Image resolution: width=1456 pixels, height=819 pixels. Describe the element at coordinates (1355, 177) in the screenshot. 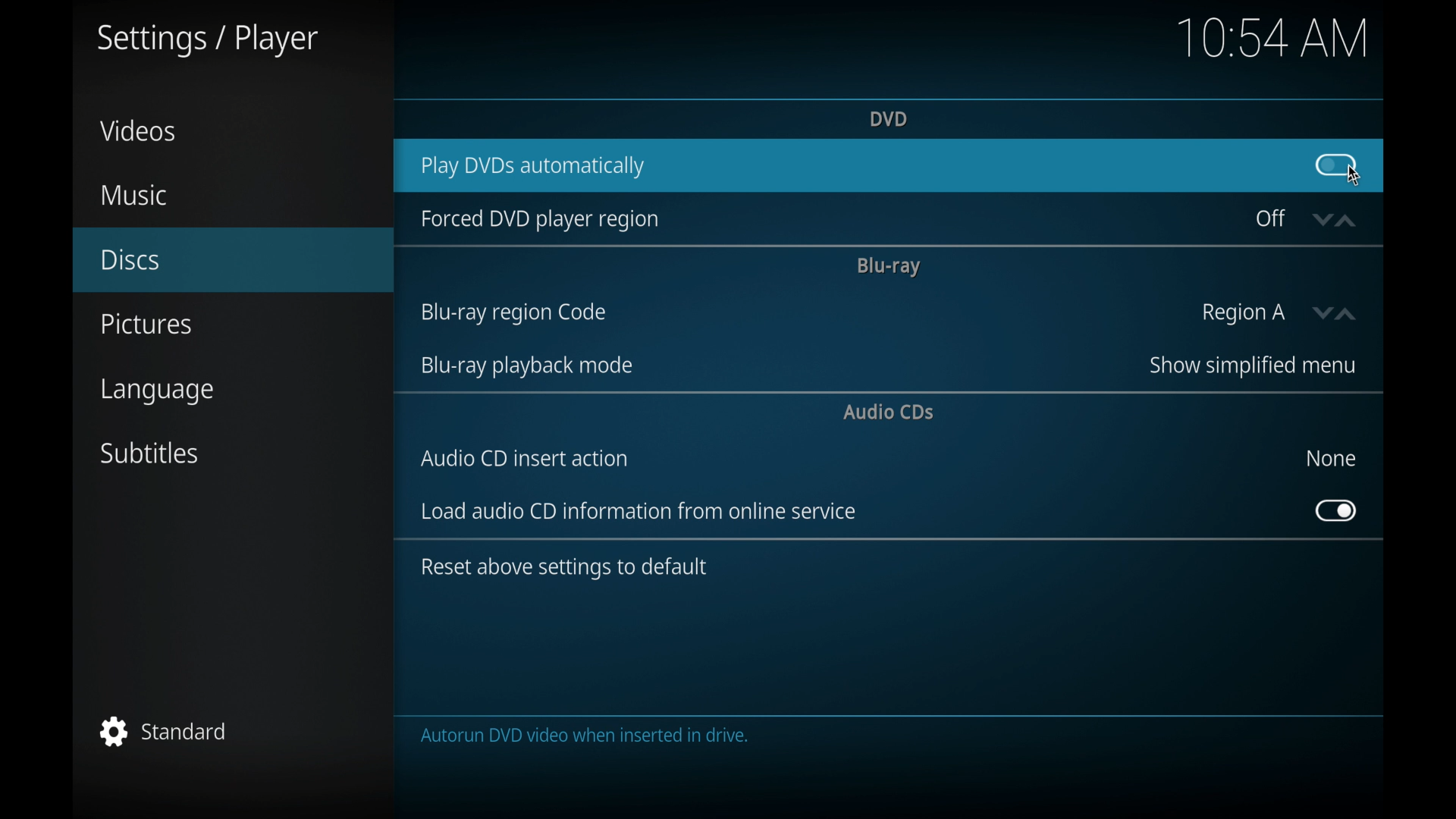

I see `cursor` at that location.